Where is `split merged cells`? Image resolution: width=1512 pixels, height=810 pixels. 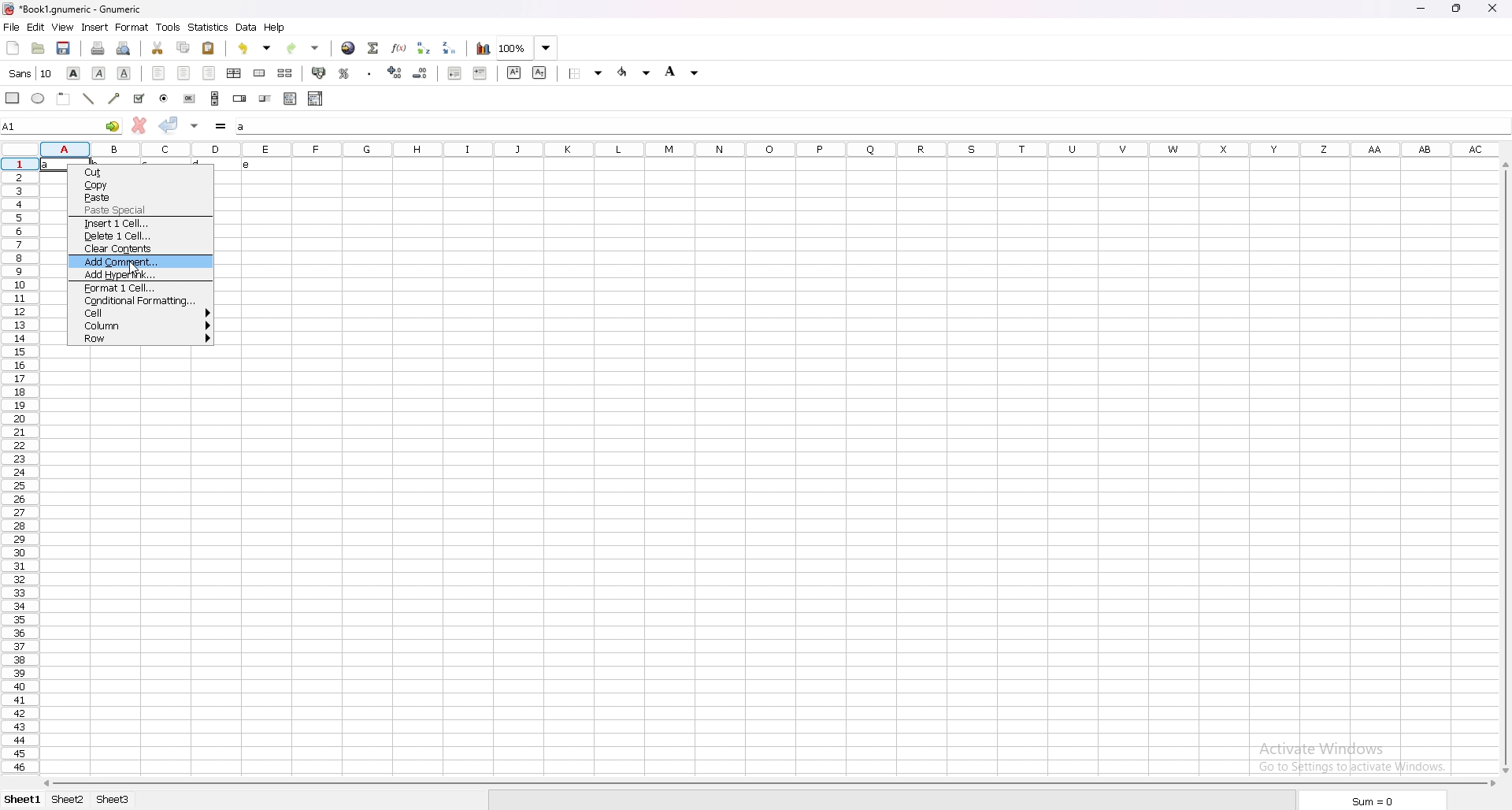 split merged cells is located at coordinates (285, 72).